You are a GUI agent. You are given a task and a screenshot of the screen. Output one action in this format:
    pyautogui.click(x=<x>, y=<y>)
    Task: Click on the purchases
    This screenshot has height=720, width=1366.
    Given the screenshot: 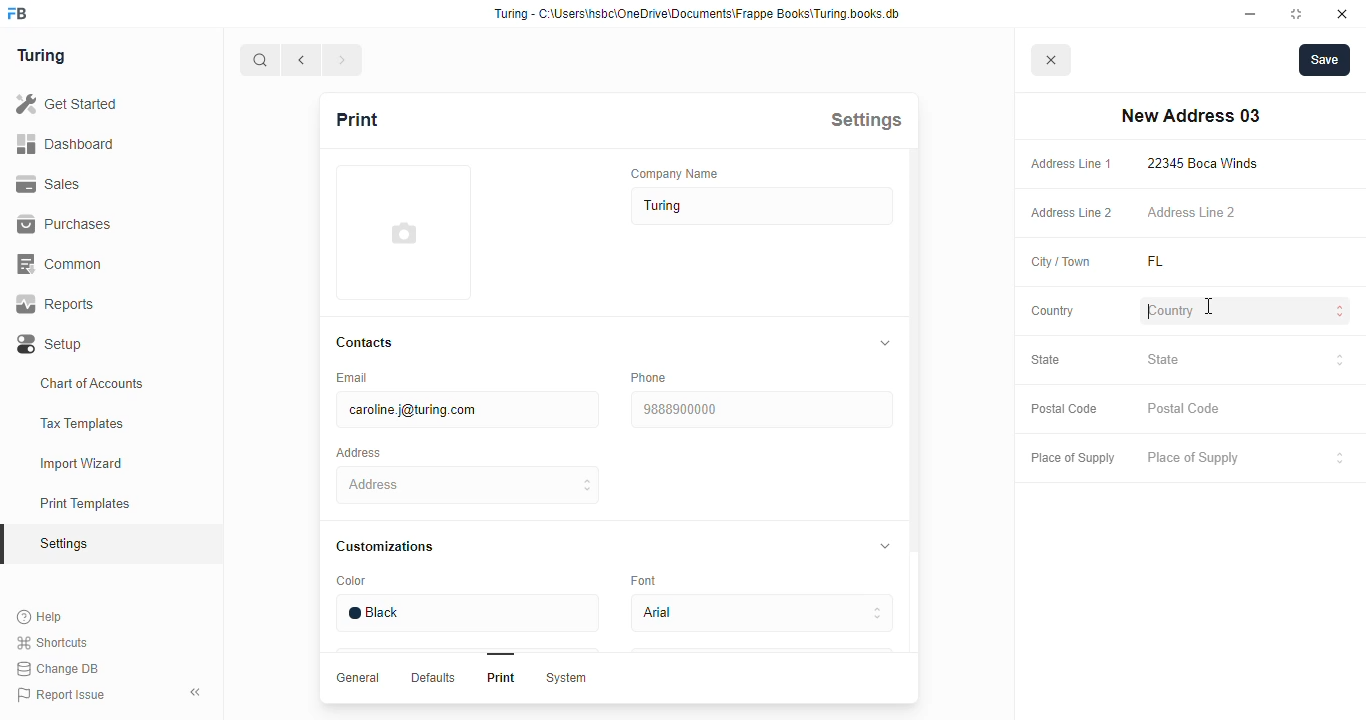 What is the action you would take?
    pyautogui.click(x=64, y=224)
    